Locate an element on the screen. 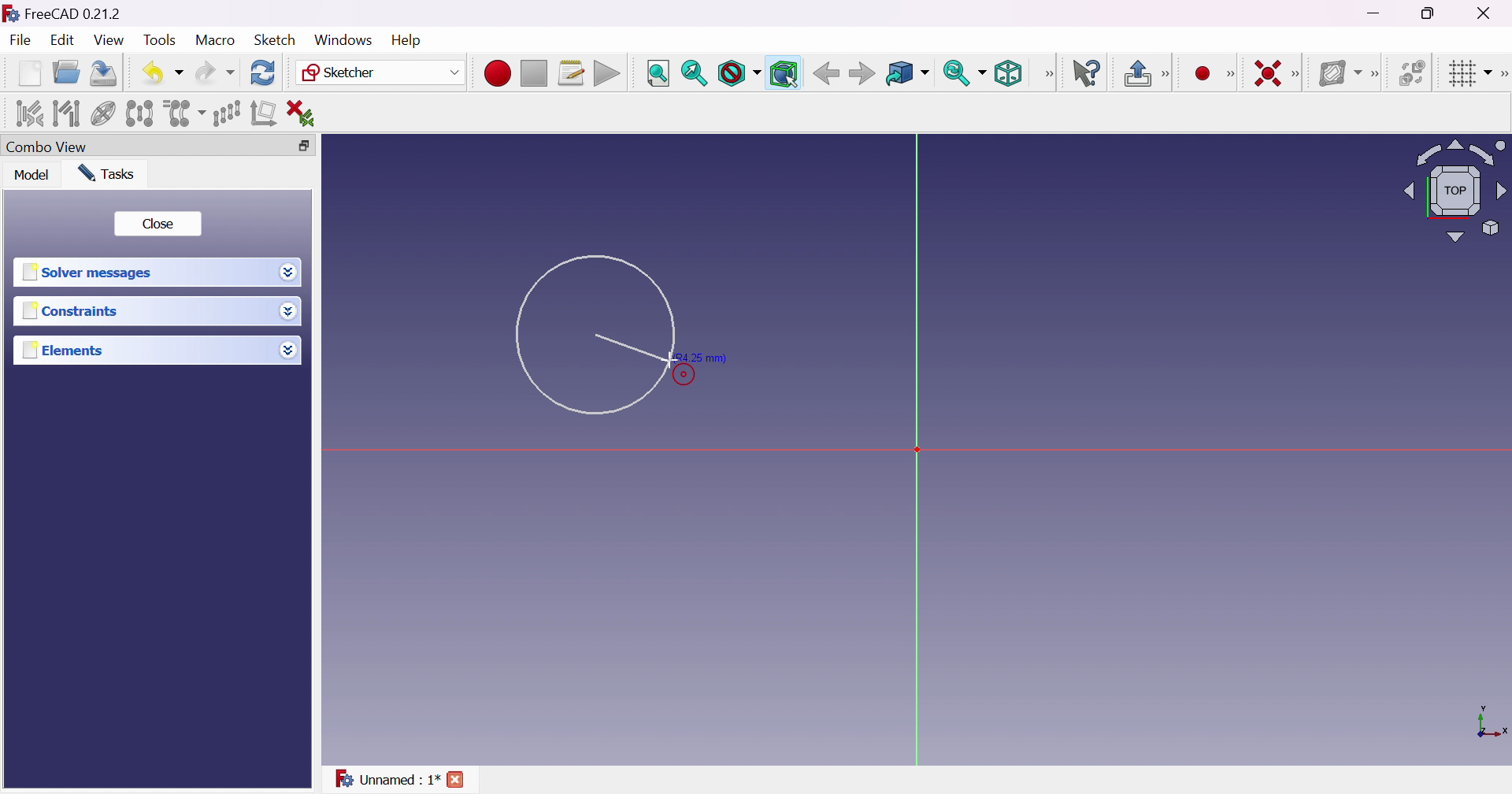 The height and width of the screenshot is (794, 1512). Create point is located at coordinates (1205, 72).